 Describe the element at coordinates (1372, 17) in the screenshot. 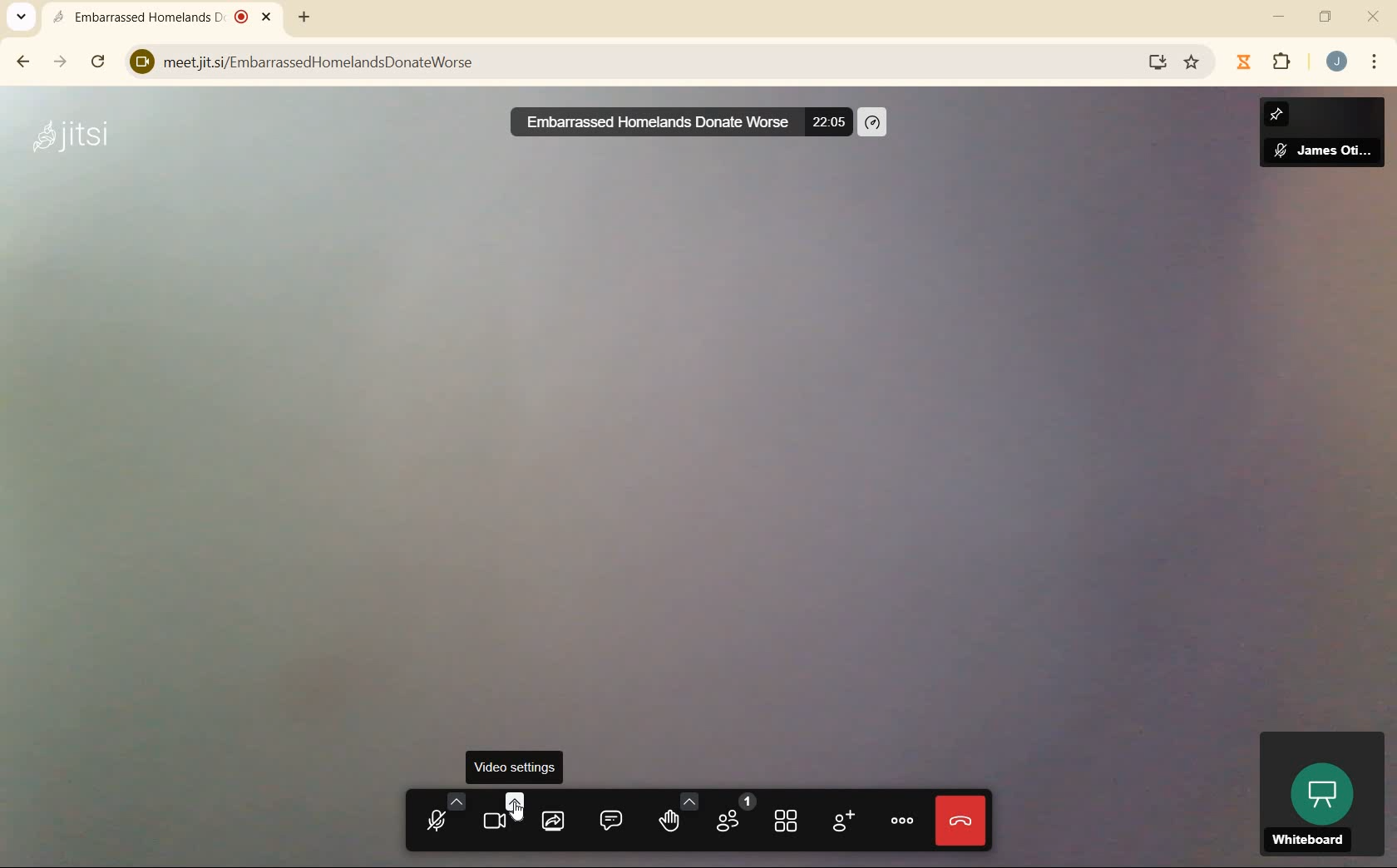

I see `close` at that location.